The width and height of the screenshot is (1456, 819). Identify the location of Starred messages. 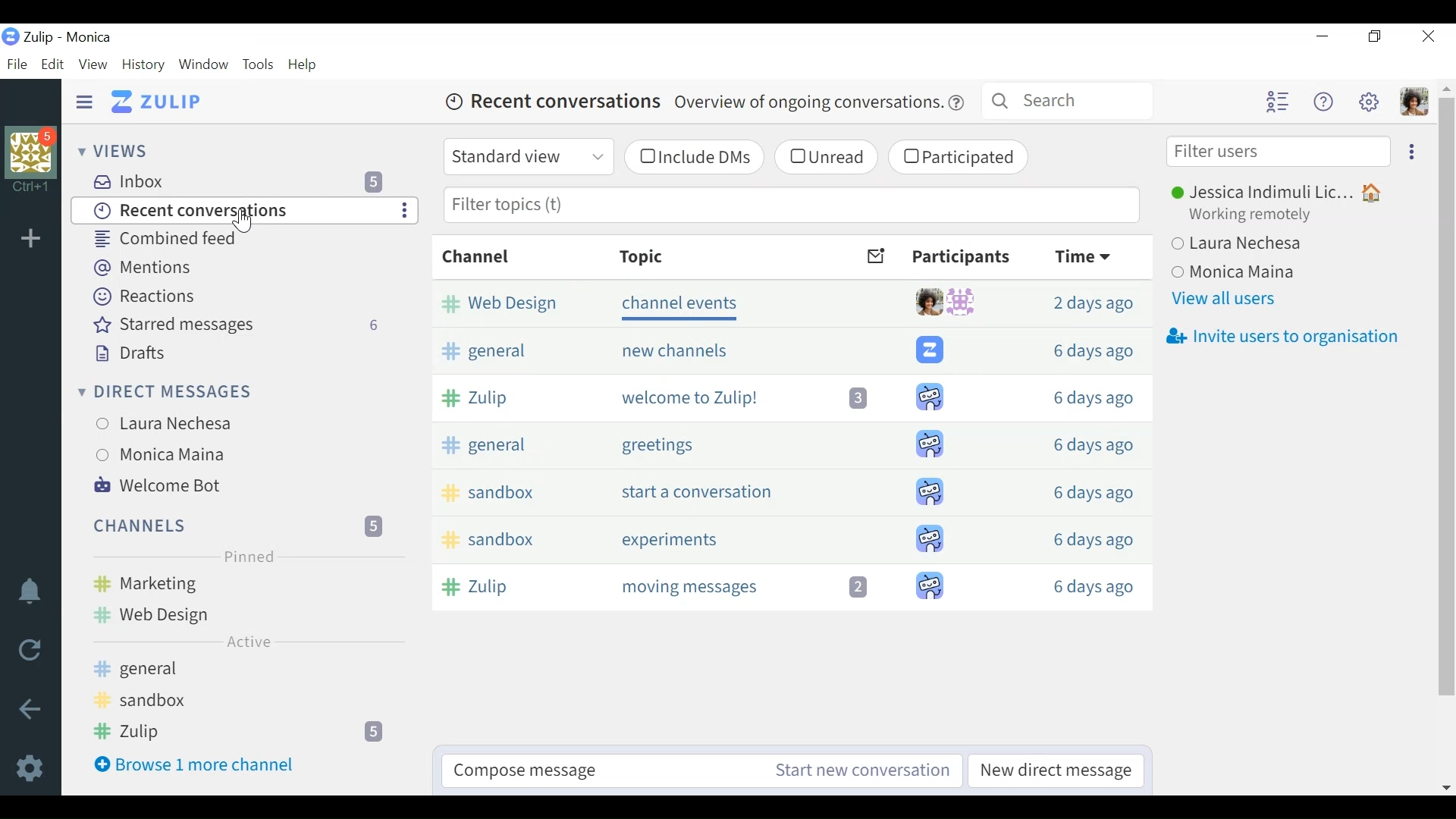
(238, 325).